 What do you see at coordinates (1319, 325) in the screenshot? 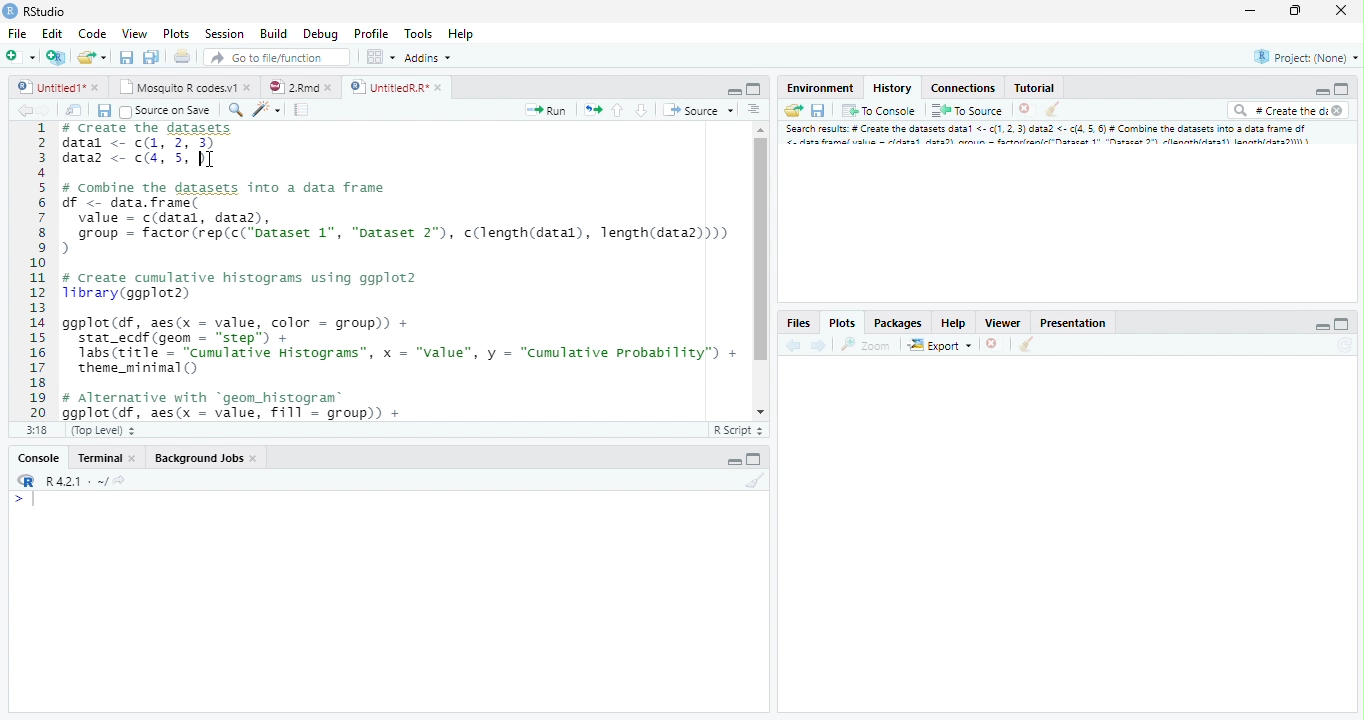
I see `Minimize` at bounding box center [1319, 325].